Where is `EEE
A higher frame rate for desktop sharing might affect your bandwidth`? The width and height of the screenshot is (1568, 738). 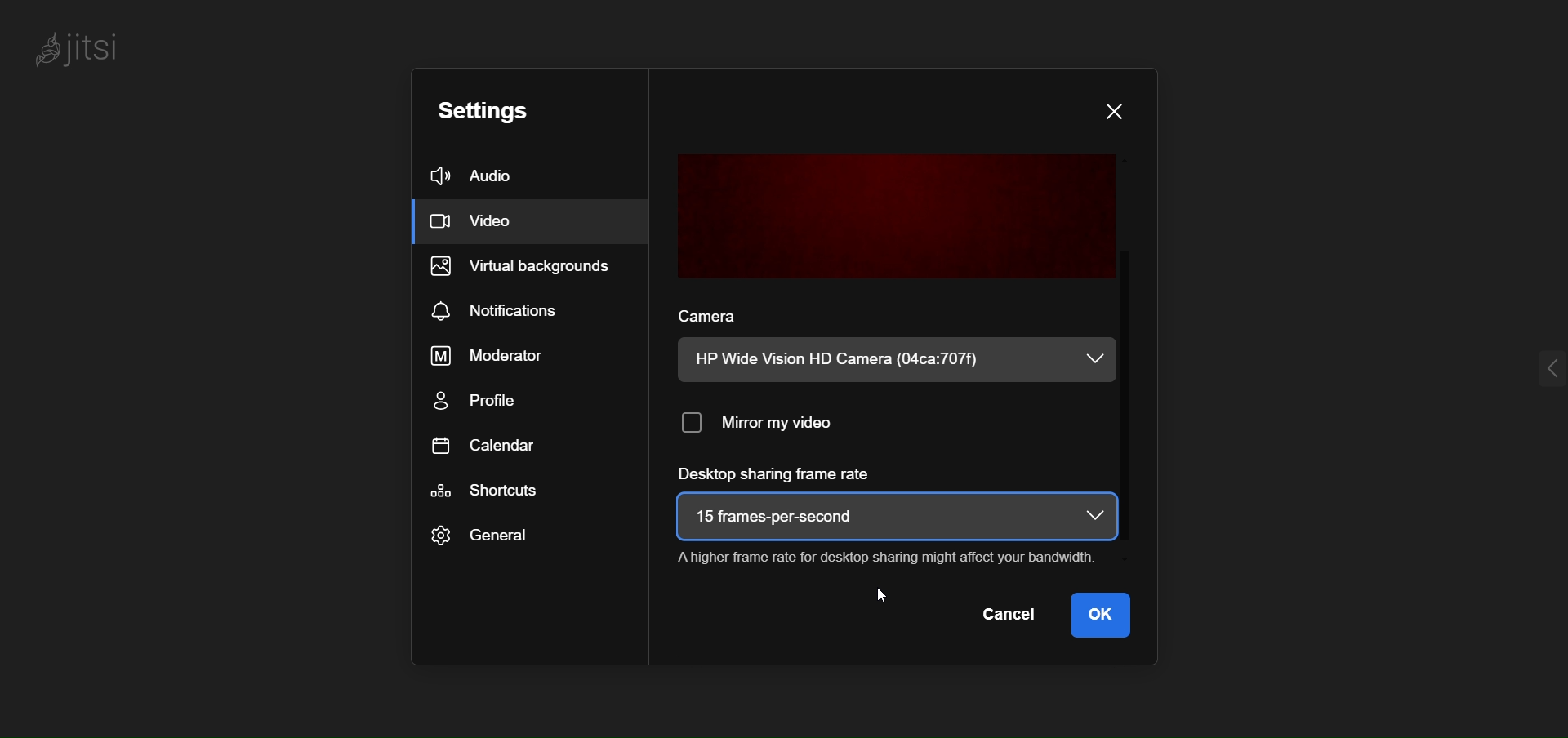 EEE
A higher frame rate for desktop sharing might affect your bandwidth is located at coordinates (882, 554).